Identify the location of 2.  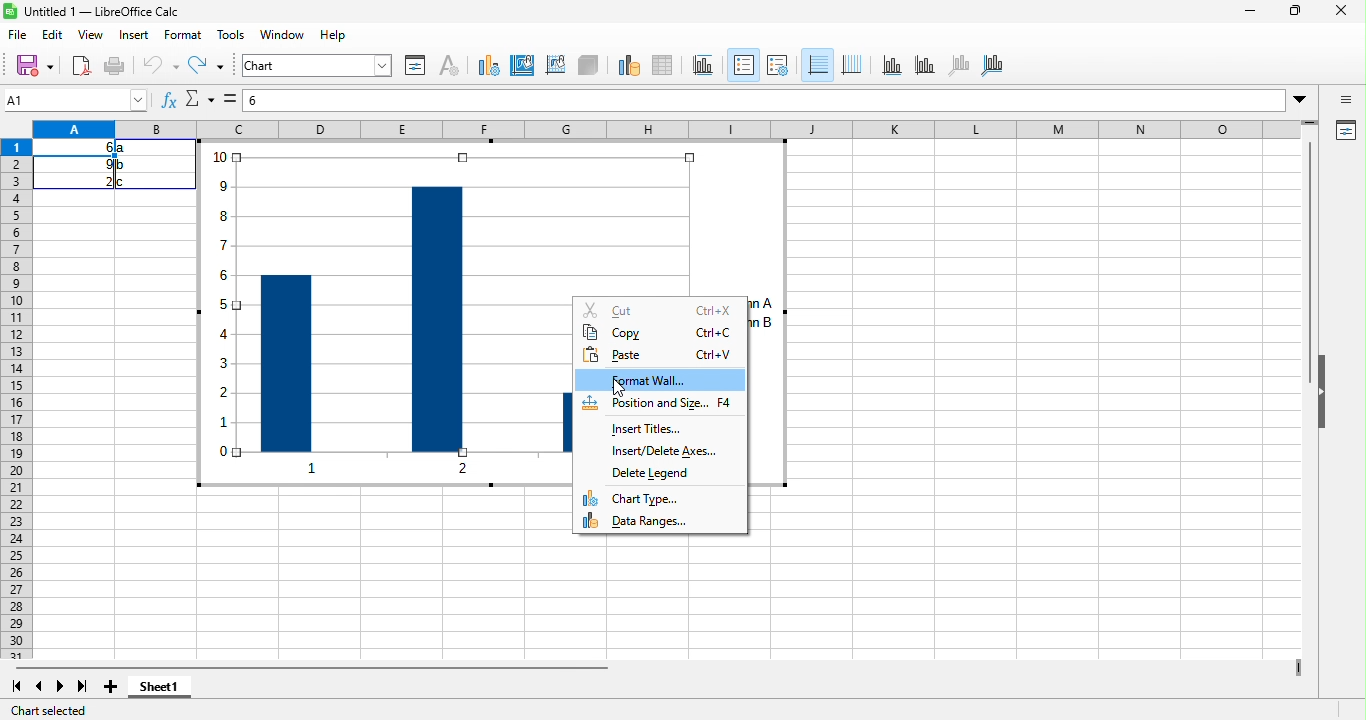
(98, 182).